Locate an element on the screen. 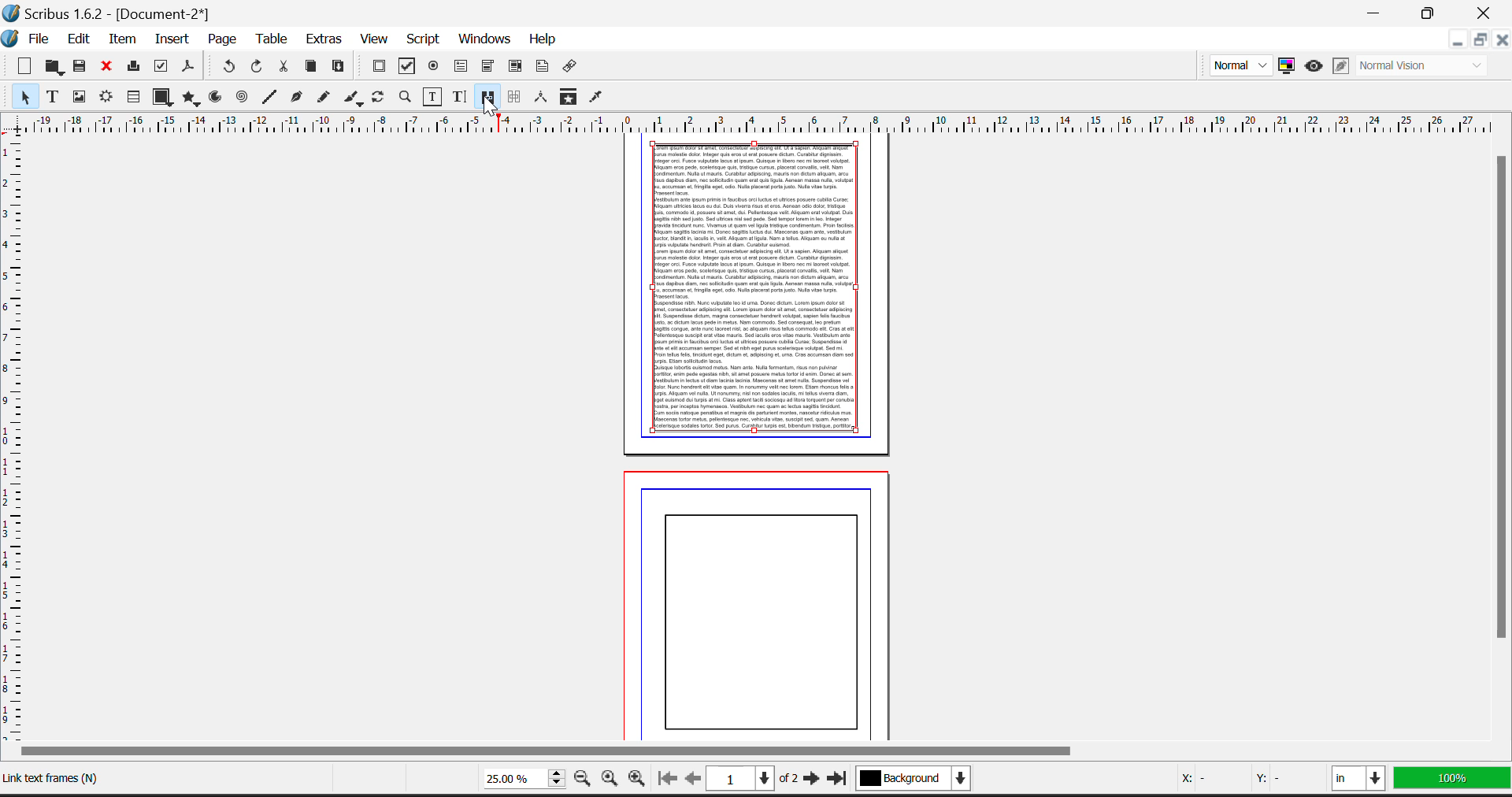 This screenshot has width=1512, height=797. Eyedropper is located at coordinates (598, 98).